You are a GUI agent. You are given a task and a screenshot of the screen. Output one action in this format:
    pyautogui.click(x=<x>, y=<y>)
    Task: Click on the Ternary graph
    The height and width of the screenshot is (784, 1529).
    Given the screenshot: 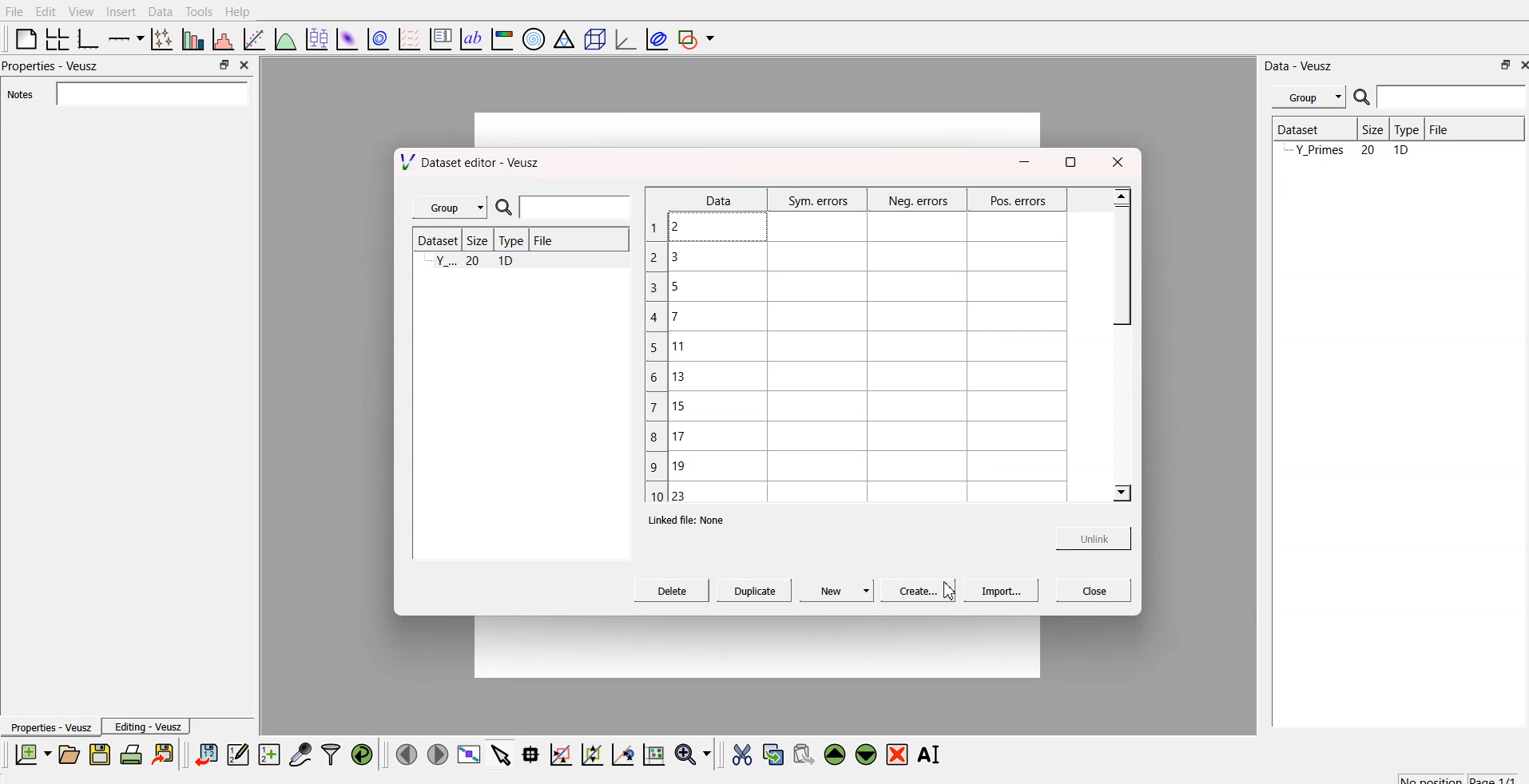 What is the action you would take?
    pyautogui.click(x=565, y=38)
    